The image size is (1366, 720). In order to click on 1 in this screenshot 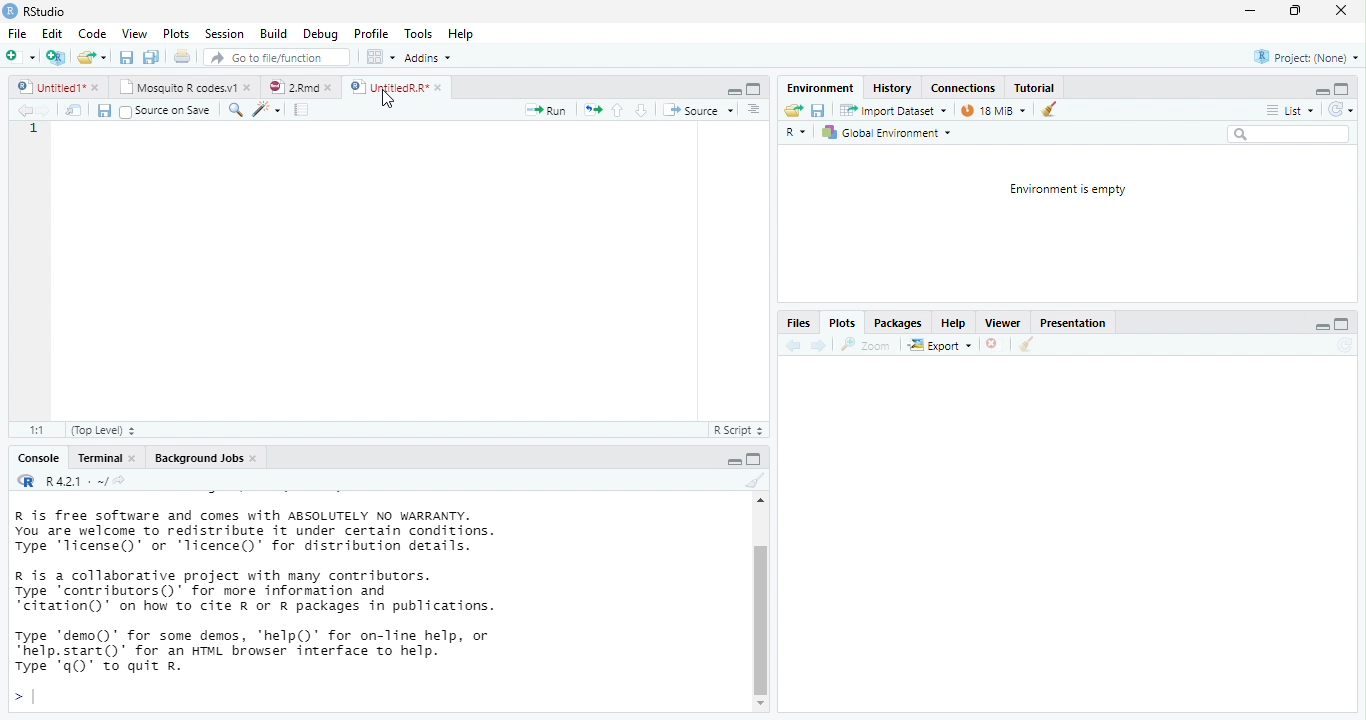, I will do `click(35, 128)`.